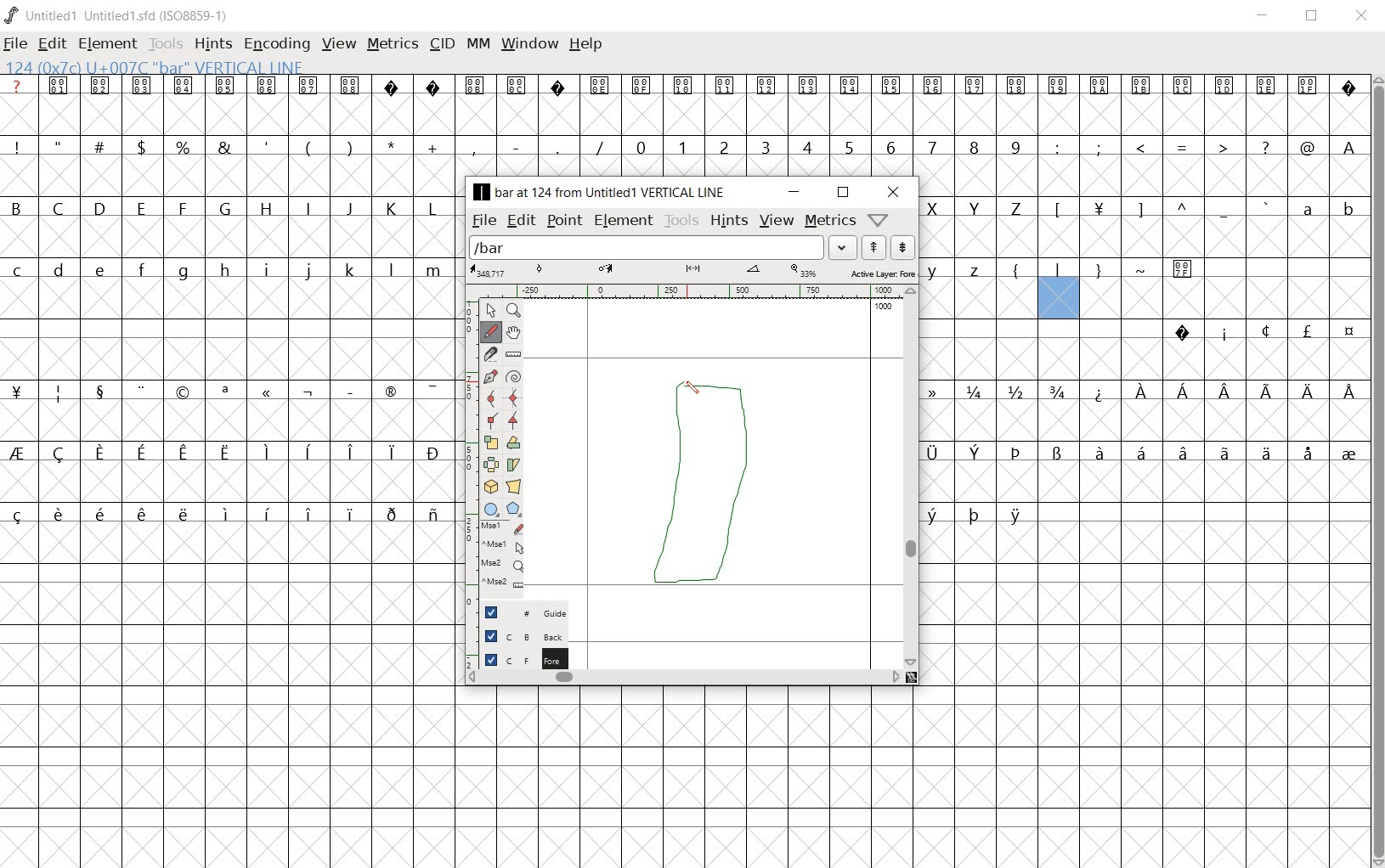  I want to click on empty cells, so click(1141, 419).